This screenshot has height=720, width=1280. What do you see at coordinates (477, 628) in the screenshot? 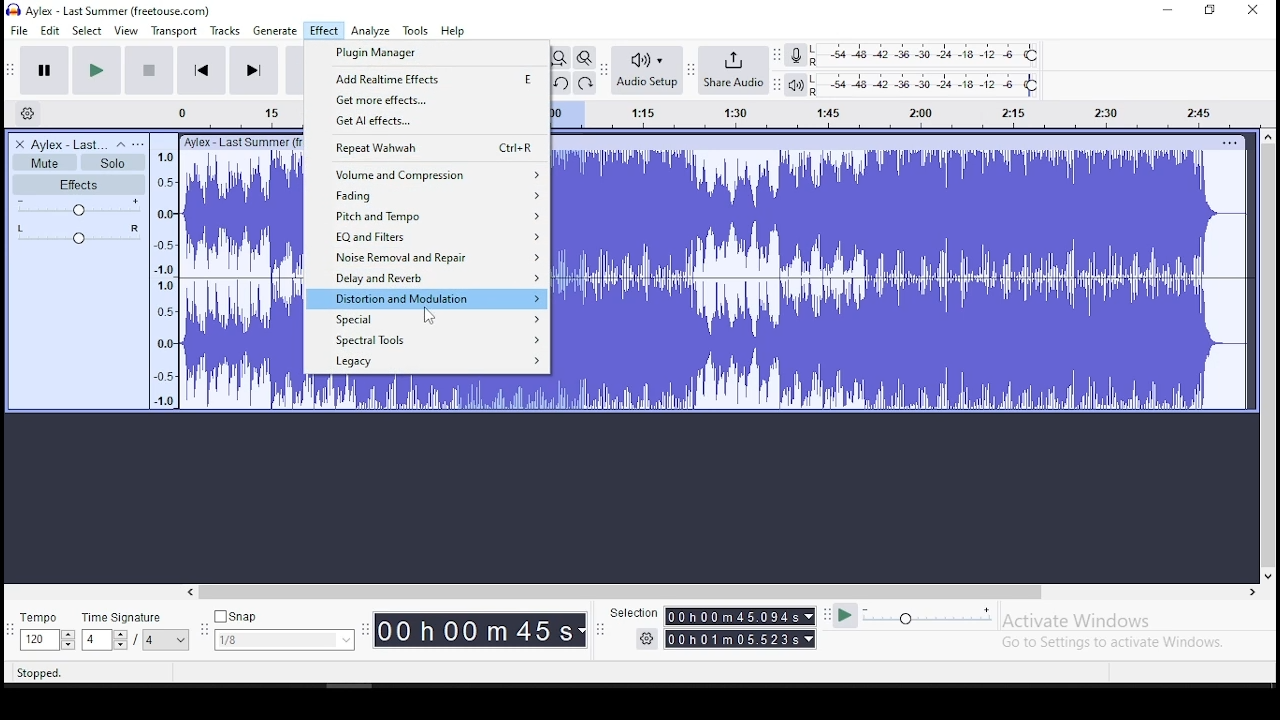
I see `00h 00m 00 s` at bounding box center [477, 628].